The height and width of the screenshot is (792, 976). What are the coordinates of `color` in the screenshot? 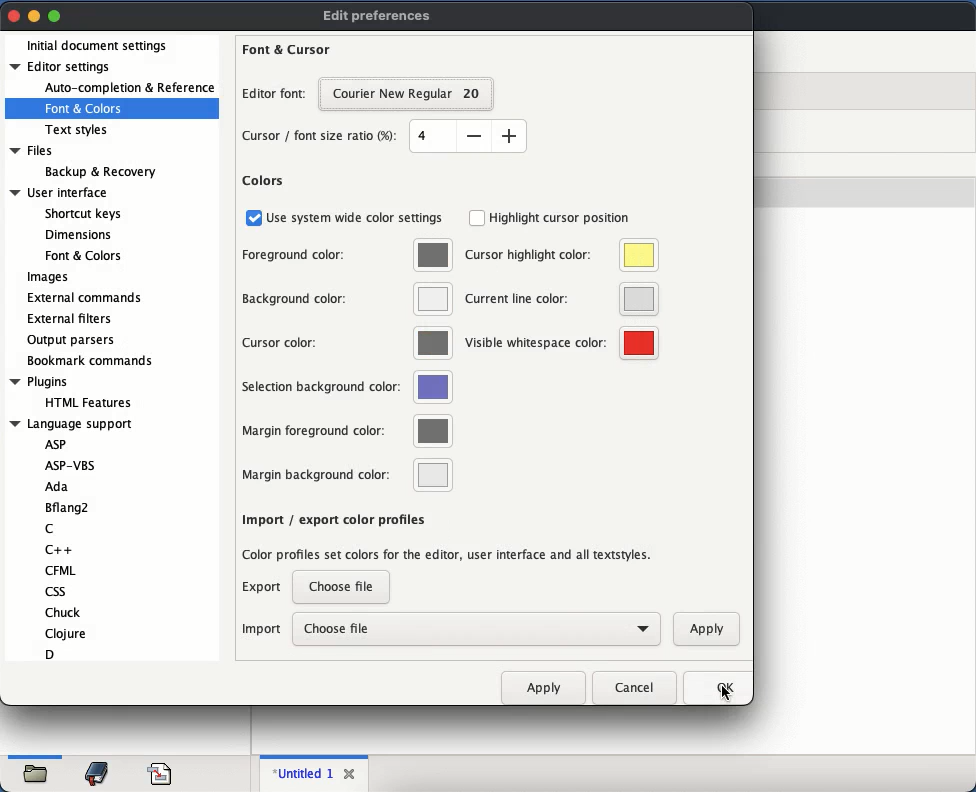 It's located at (433, 301).